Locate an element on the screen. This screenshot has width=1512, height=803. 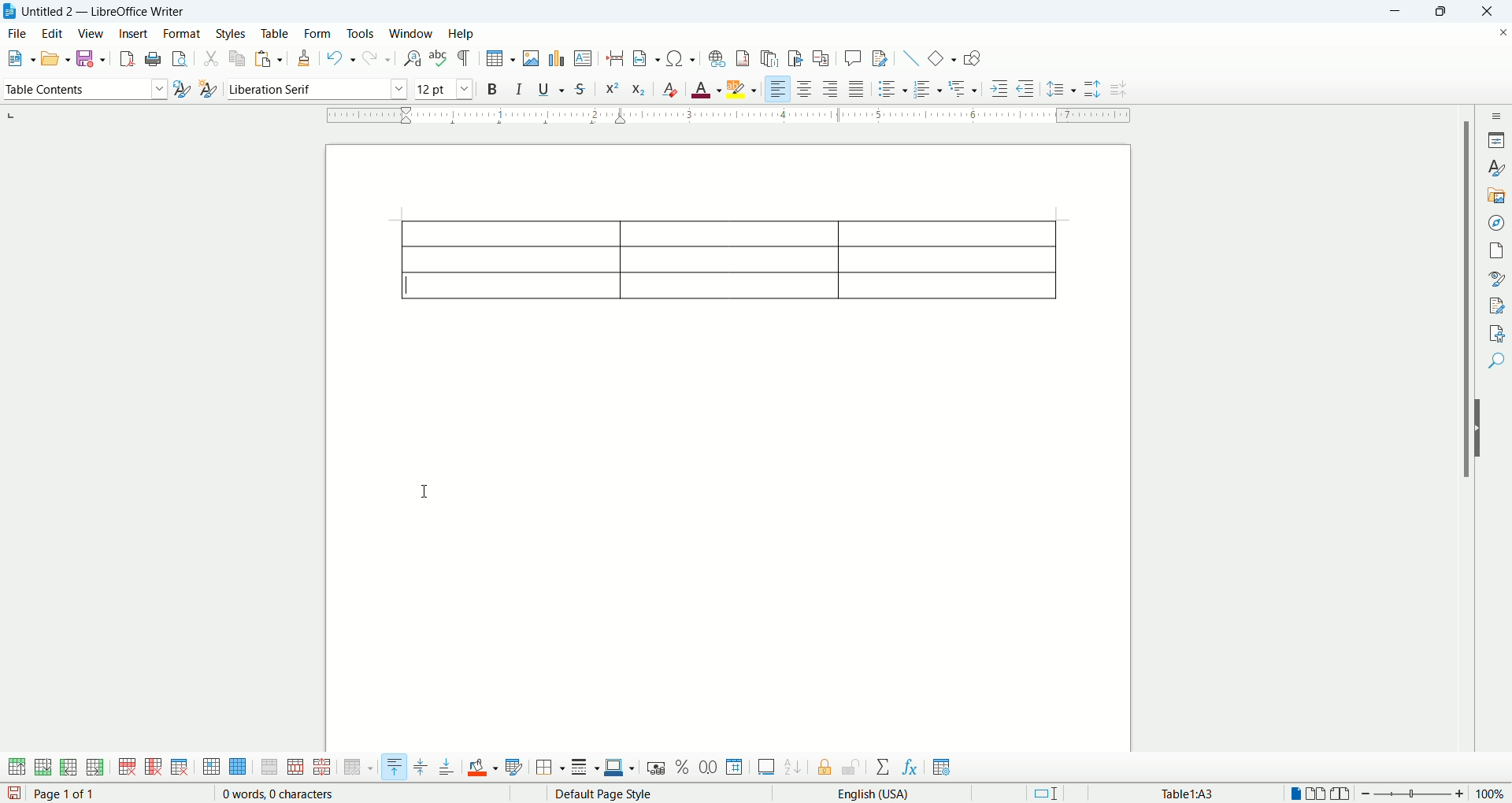
manage changes is located at coordinates (1494, 307).